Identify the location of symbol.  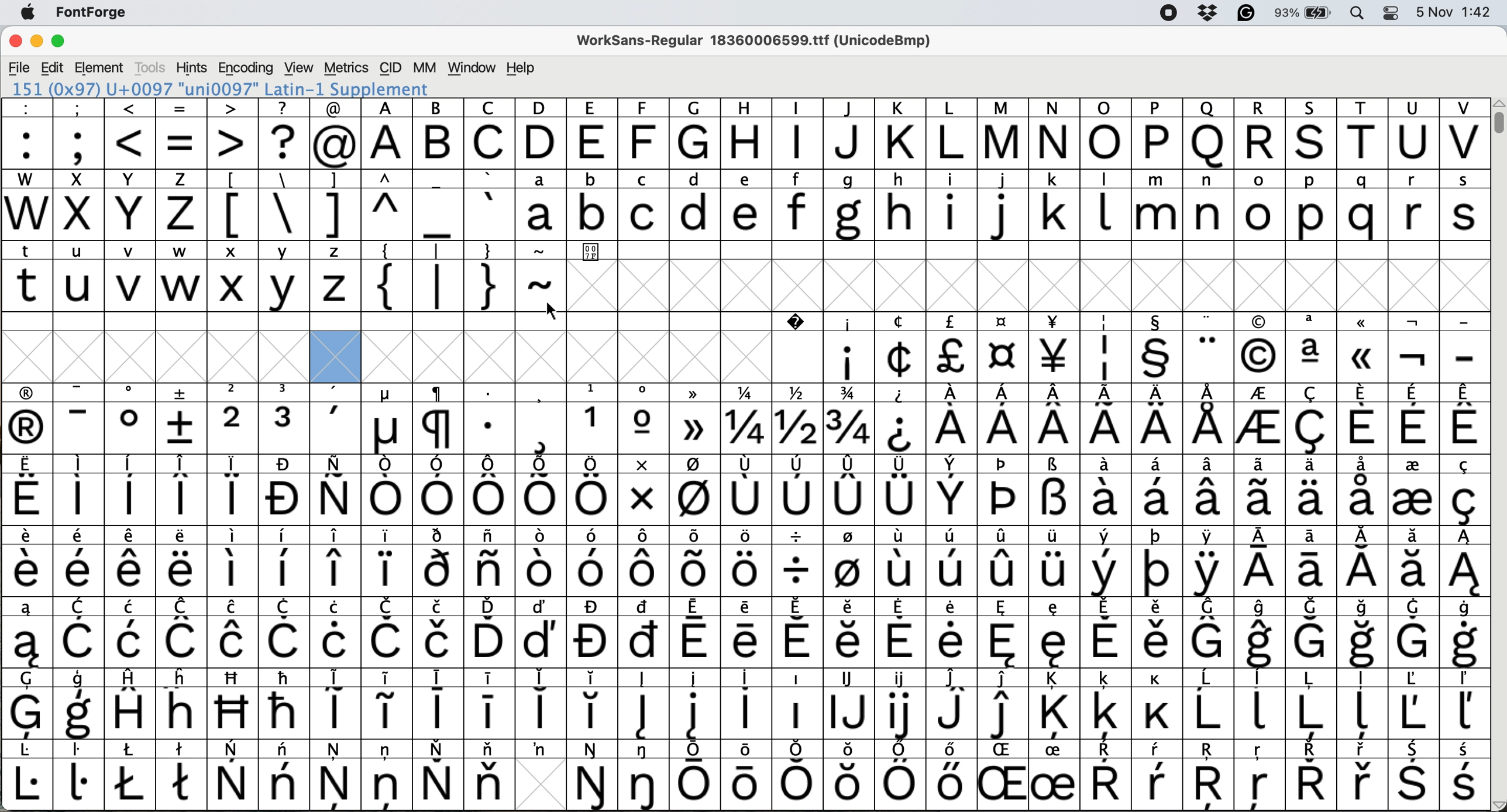
(1261, 421).